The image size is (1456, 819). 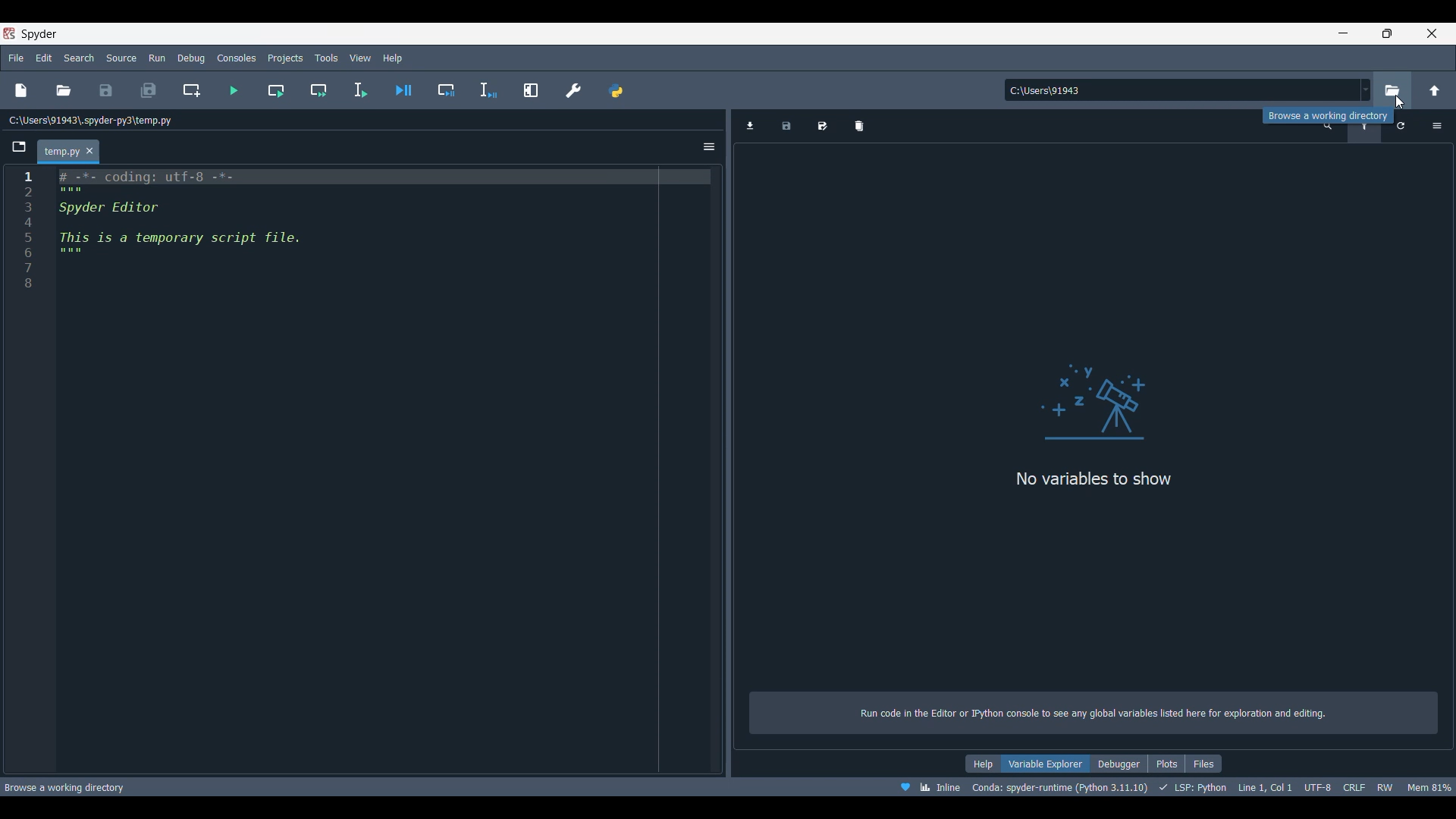 What do you see at coordinates (859, 126) in the screenshot?
I see `Remove all variables` at bounding box center [859, 126].